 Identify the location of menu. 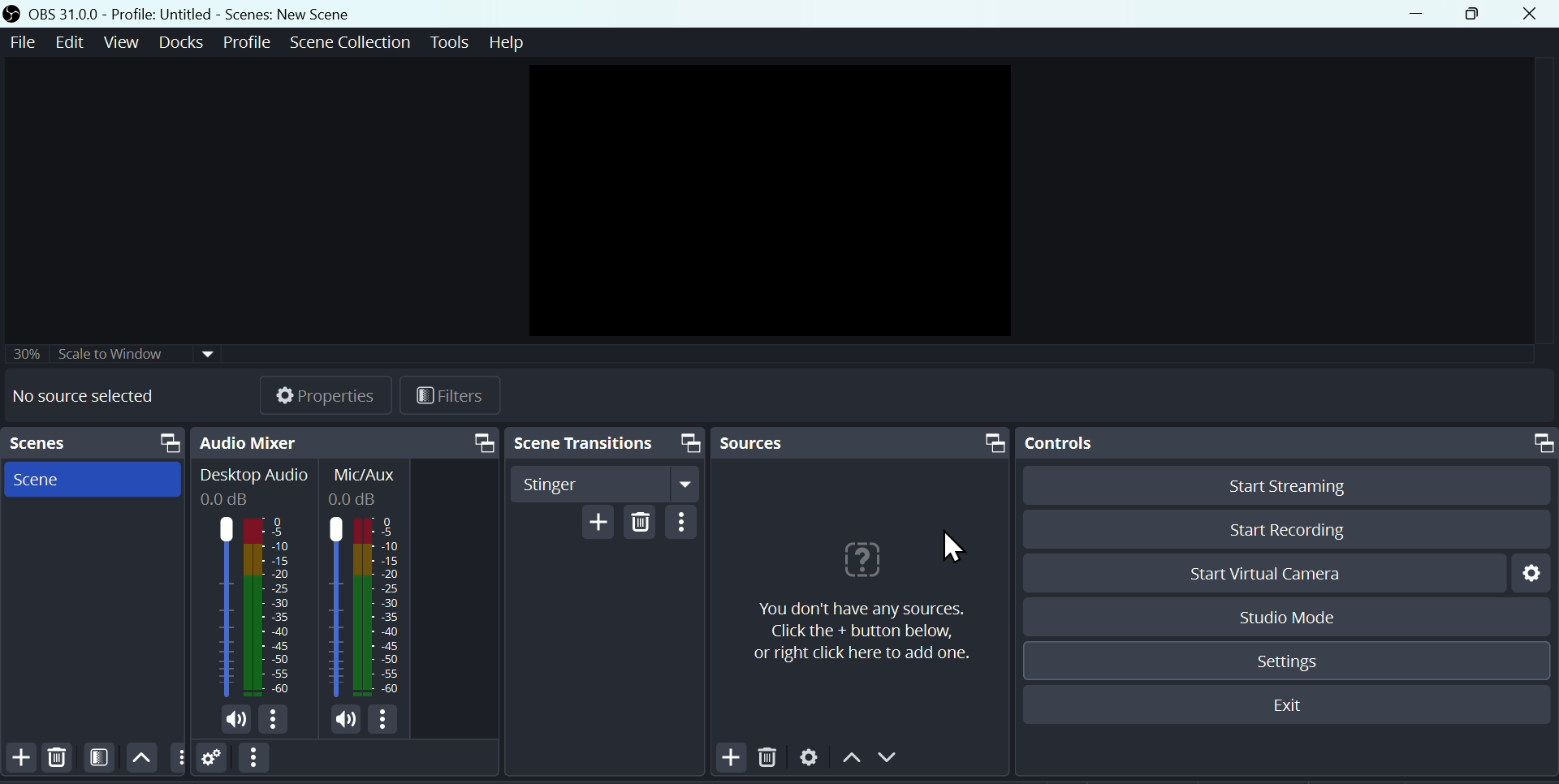
(481, 442).